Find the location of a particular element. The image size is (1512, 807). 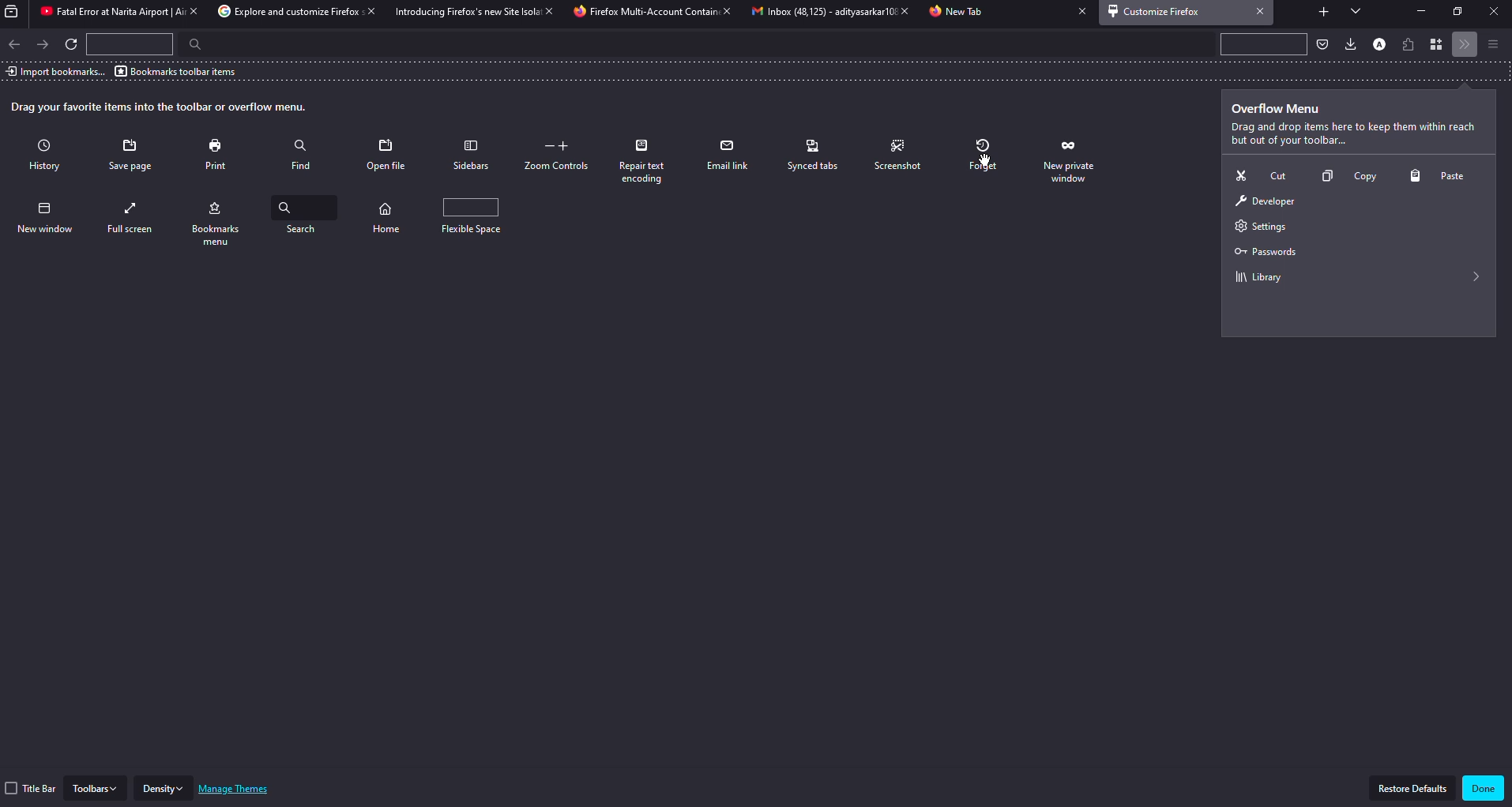

sidebars is located at coordinates (470, 155).